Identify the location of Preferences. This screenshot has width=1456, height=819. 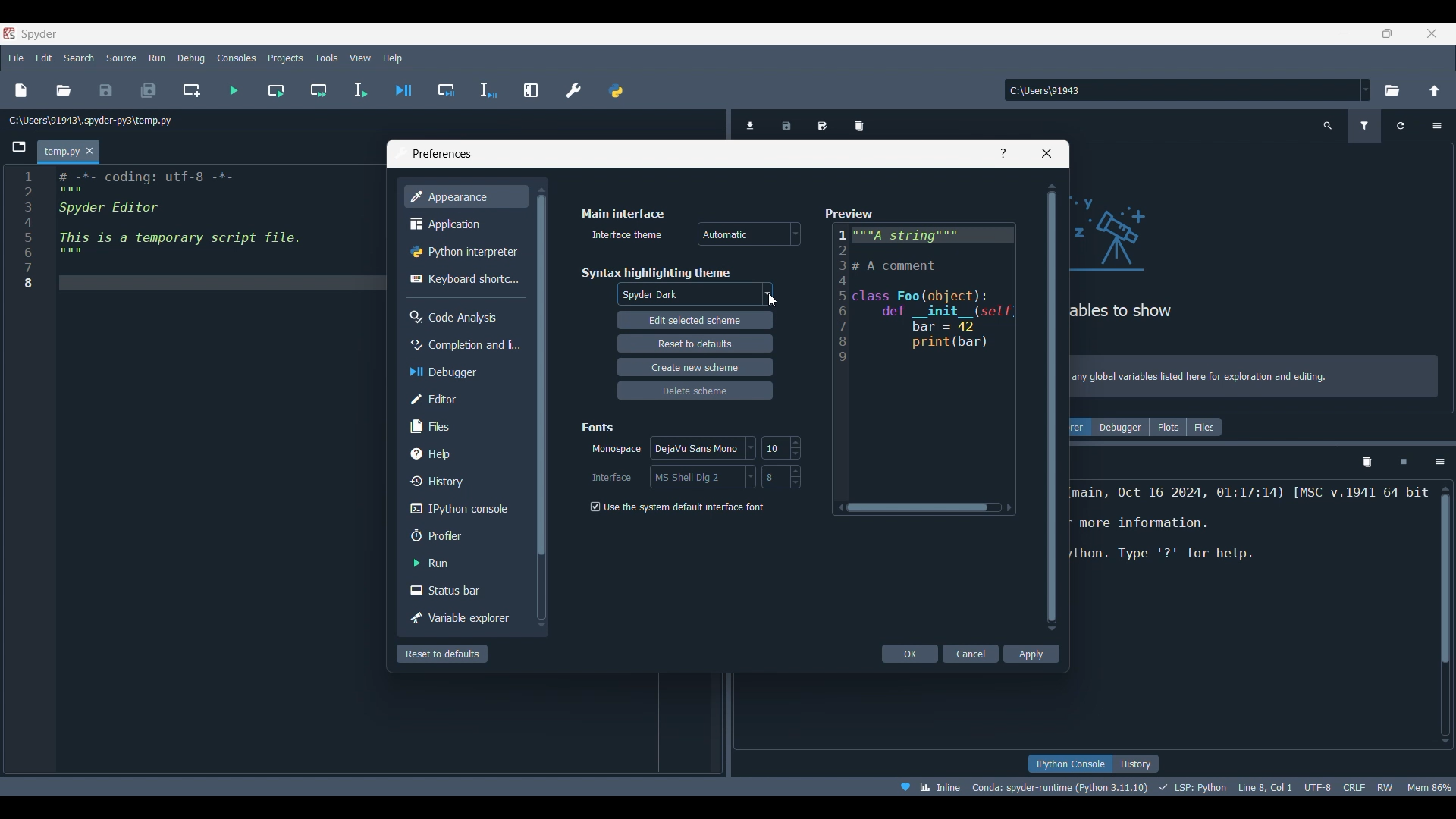
(574, 90).